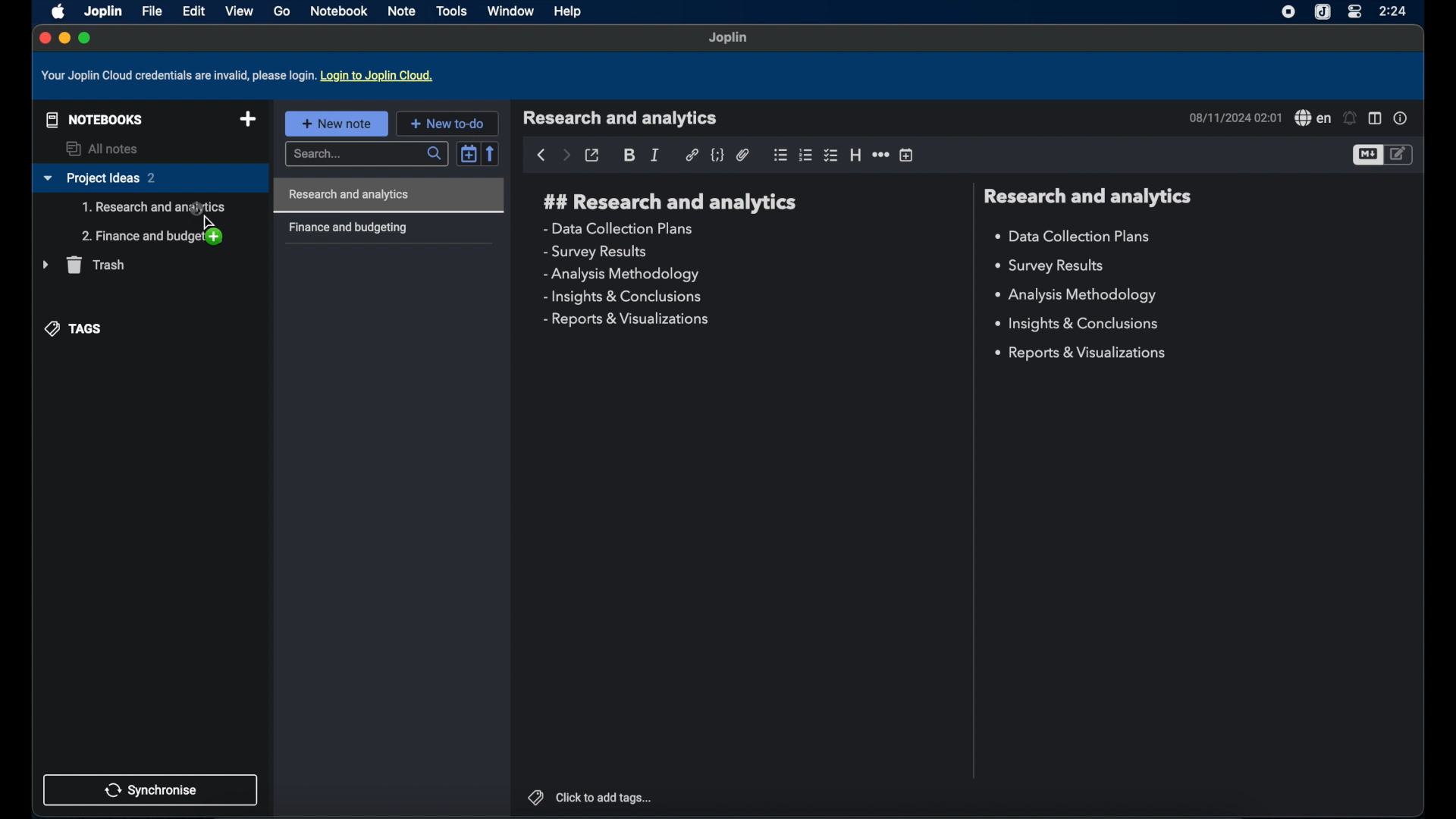  What do you see at coordinates (743, 155) in the screenshot?
I see `attach file` at bounding box center [743, 155].